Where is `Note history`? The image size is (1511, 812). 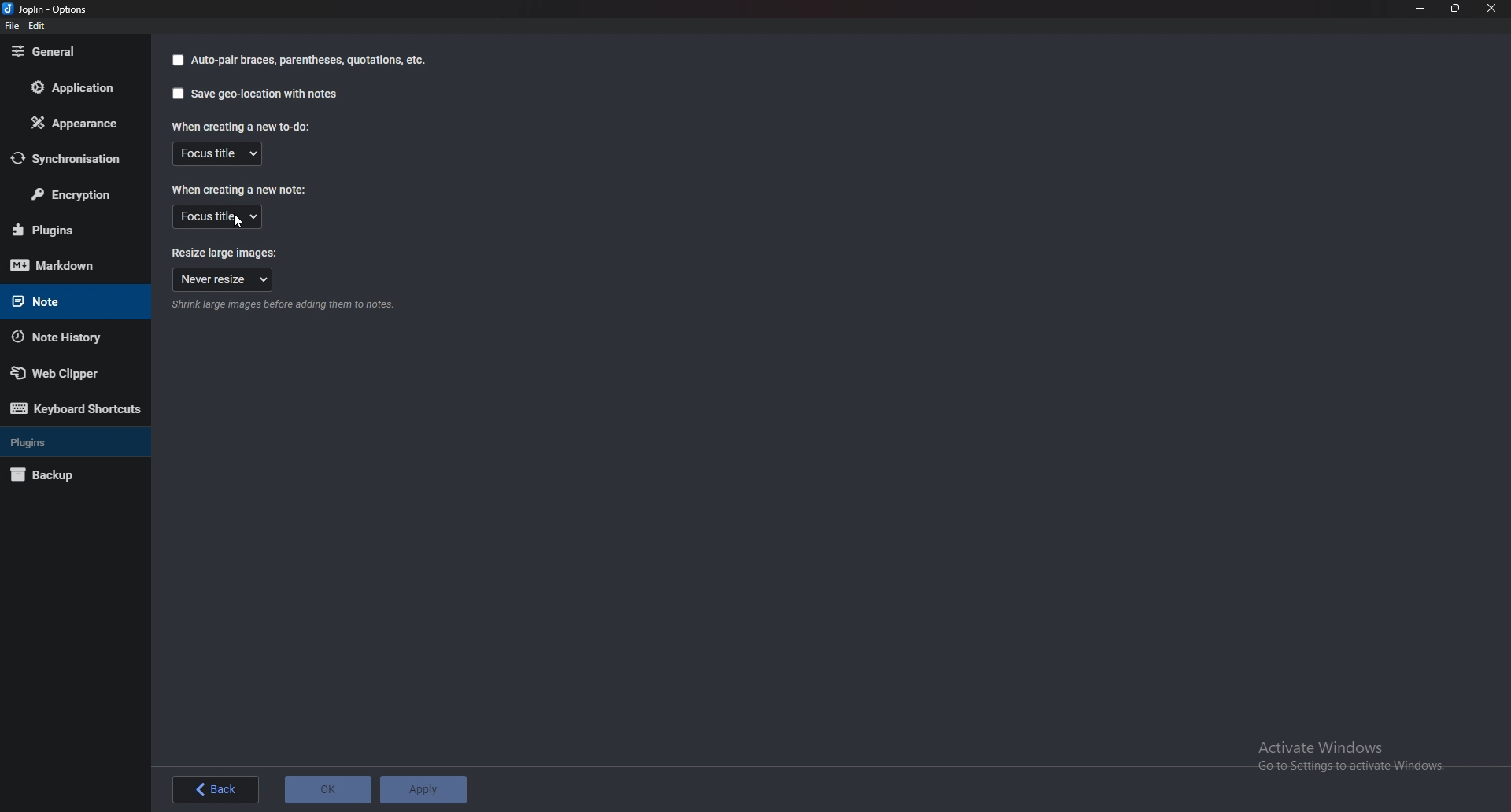
Note history is located at coordinates (63, 338).